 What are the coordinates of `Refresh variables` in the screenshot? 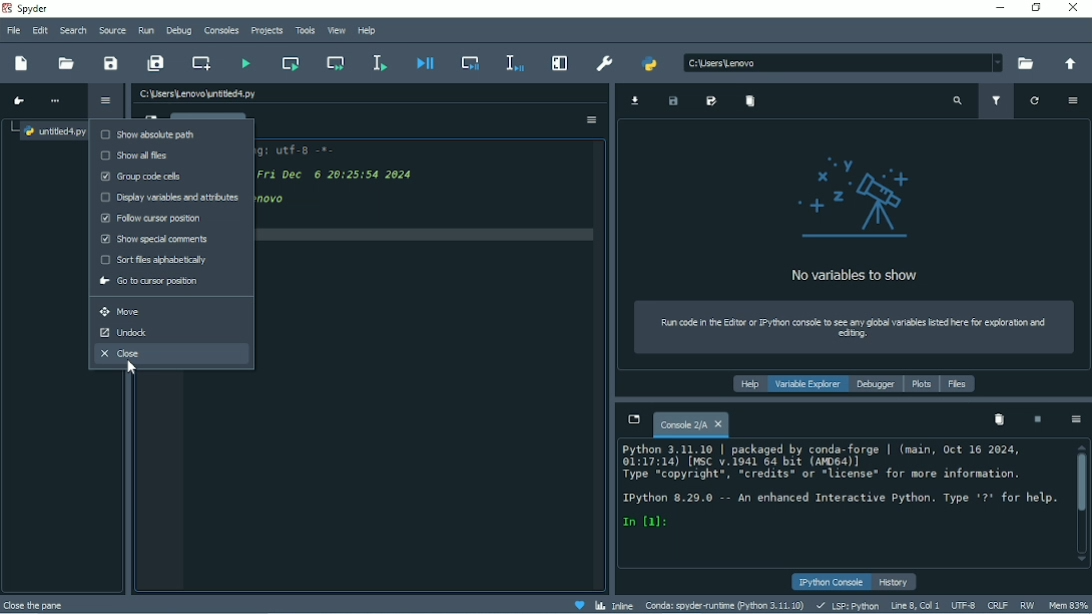 It's located at (1035, 102).